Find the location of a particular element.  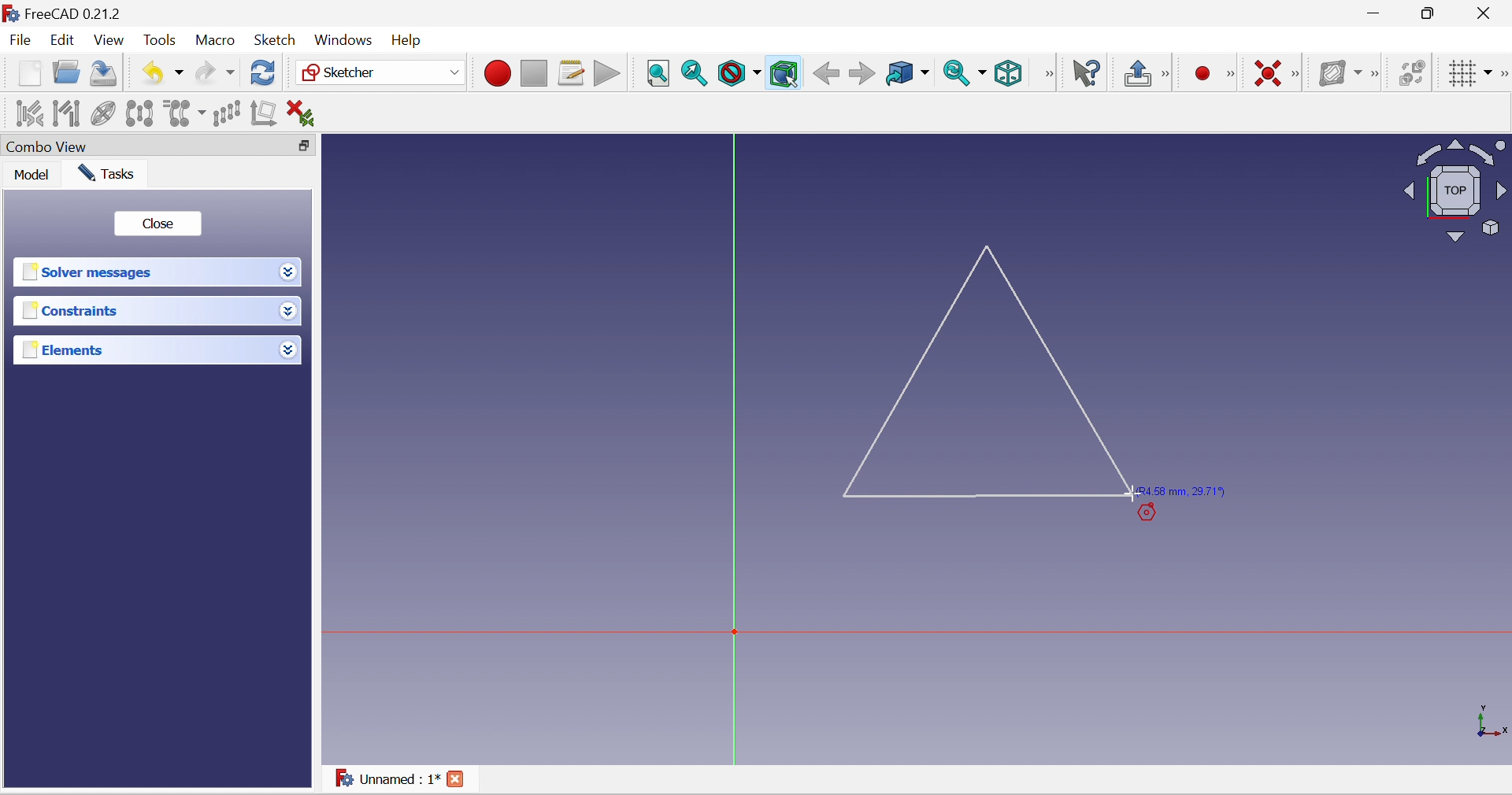

FreeCAD 0.21.2 is located at coordinates (63, 13).